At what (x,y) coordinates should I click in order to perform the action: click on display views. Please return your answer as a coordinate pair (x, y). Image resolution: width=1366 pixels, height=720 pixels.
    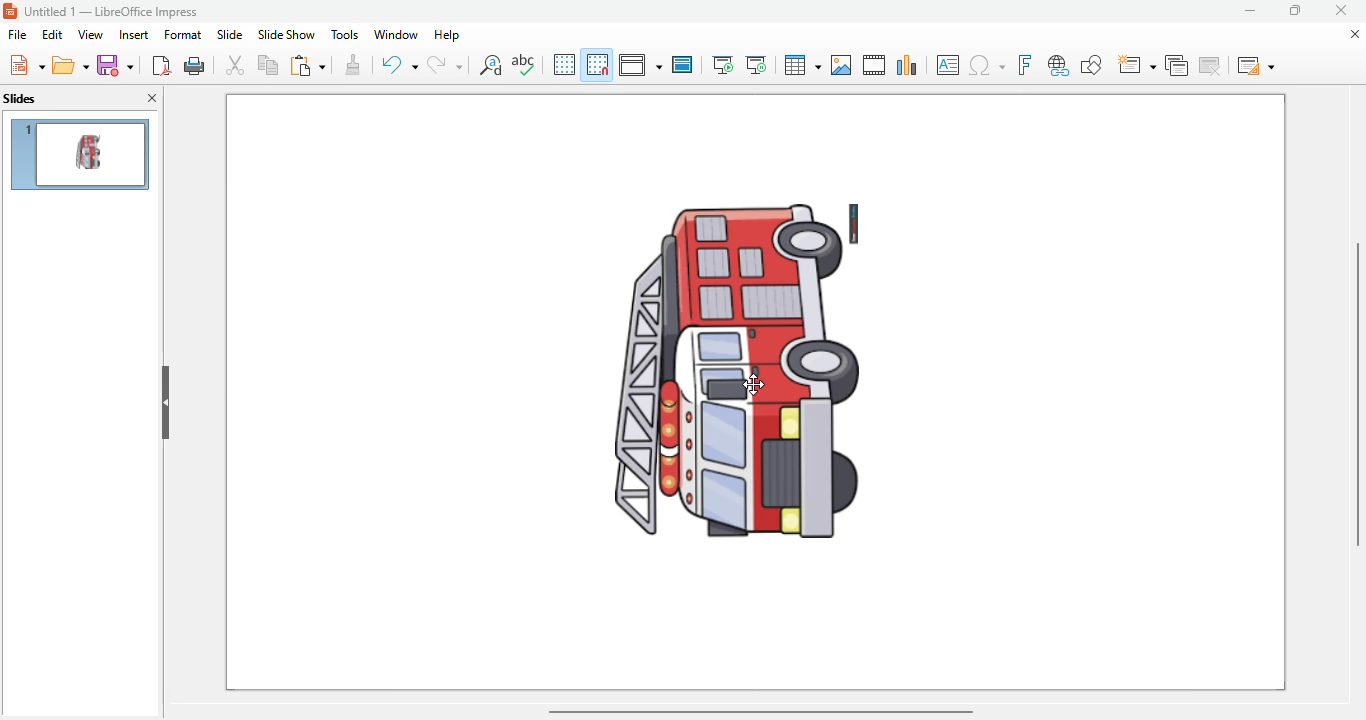
    Looking at the image, I should click on (641, 64).